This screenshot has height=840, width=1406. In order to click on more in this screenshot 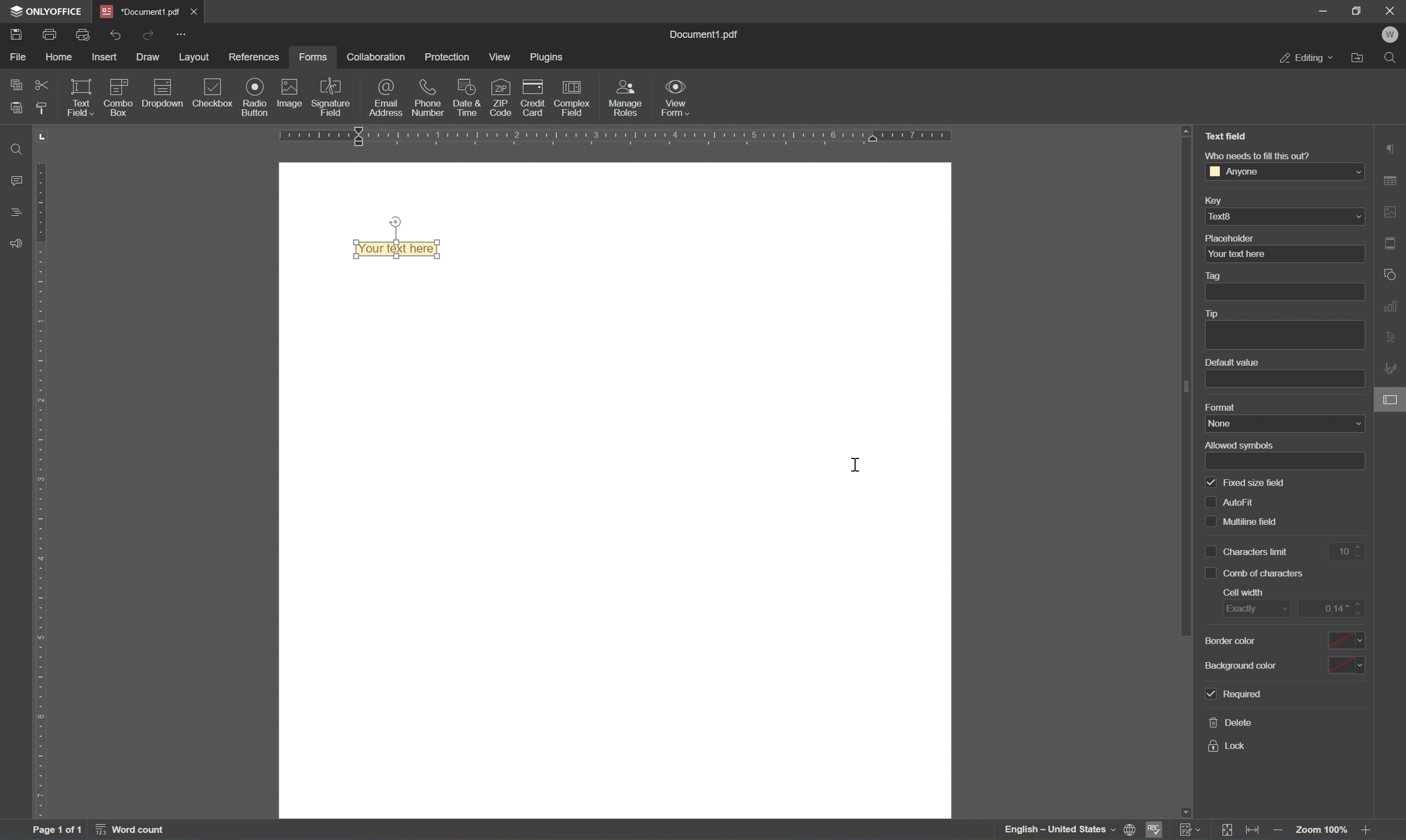, I will do `click(183, 35)`.